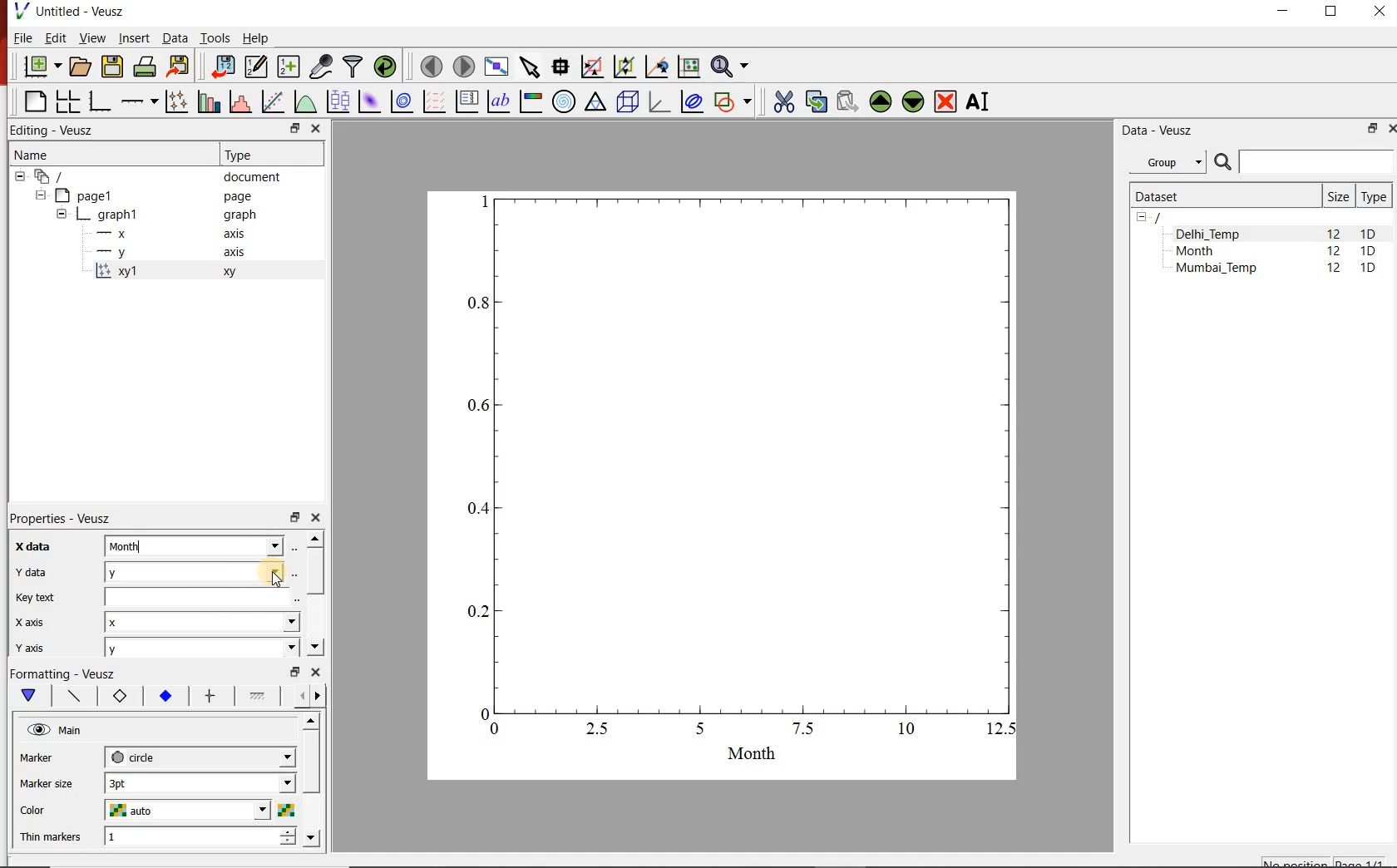 This screenshot has height=868, width=1397. What do you see at coordinates (164, 234) in the screenshot?
I see `-x axis` at bounding box center [164, 234].